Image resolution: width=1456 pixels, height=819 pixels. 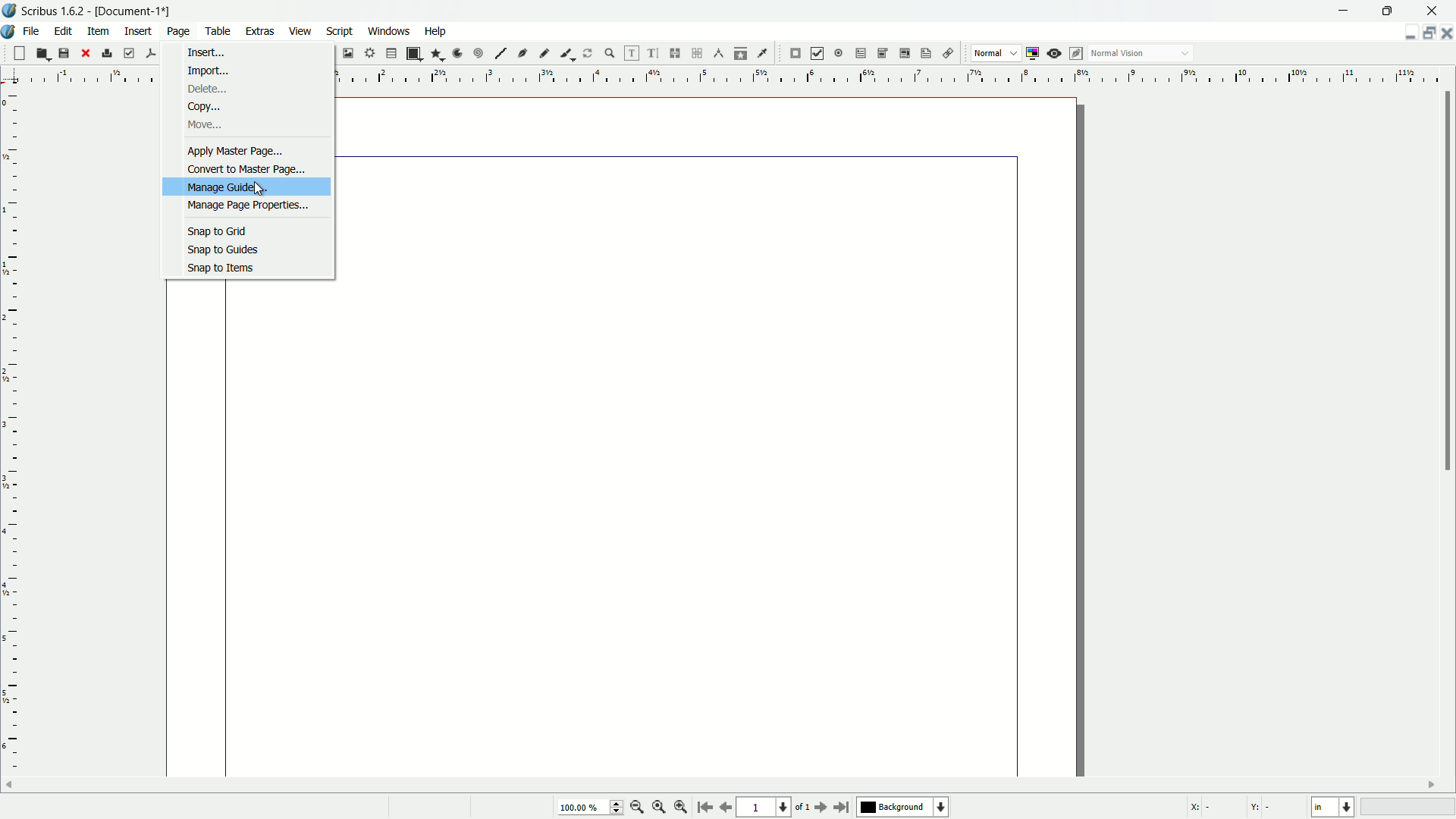 What do you see at coordinates (764, 53) in the screenshot?
I see `eye dropper` at bounding box center [764, 53].